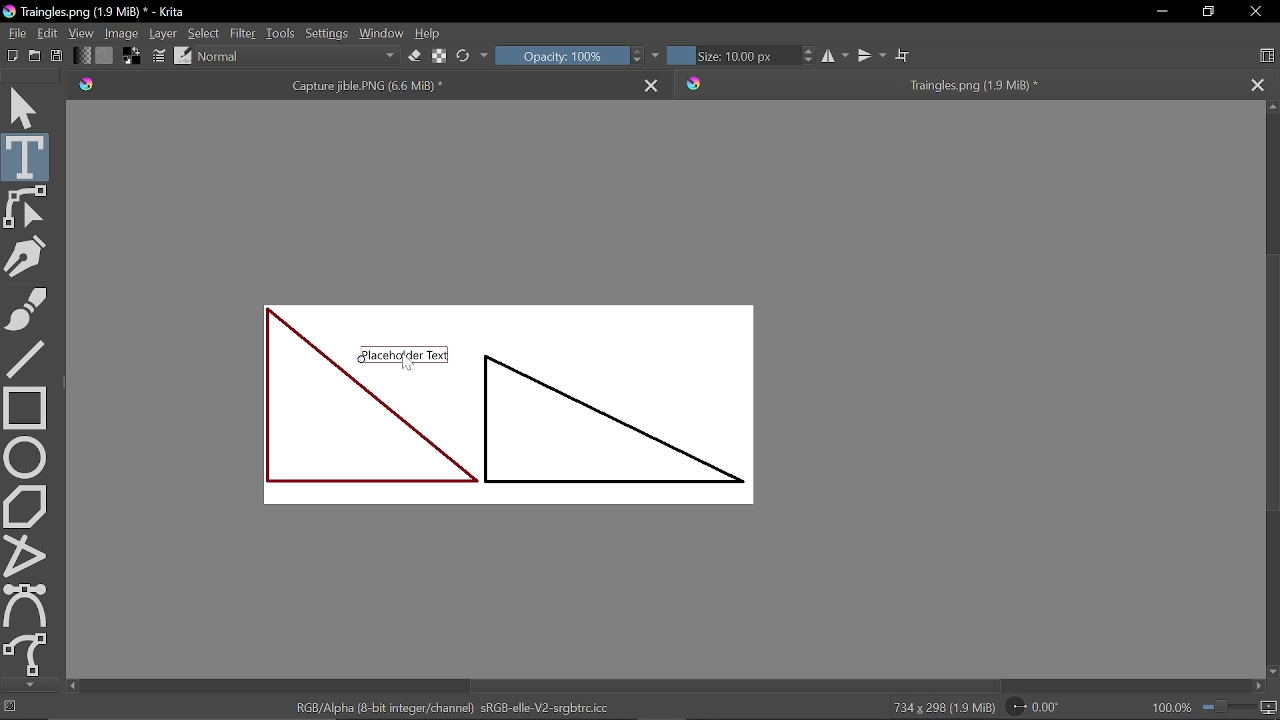 The width and height of the screenshot is (1280, 720). What do you see at coordinates (1038, 708) in the screenshot?
I see `Rotate` at bounding box center [1038, 708].